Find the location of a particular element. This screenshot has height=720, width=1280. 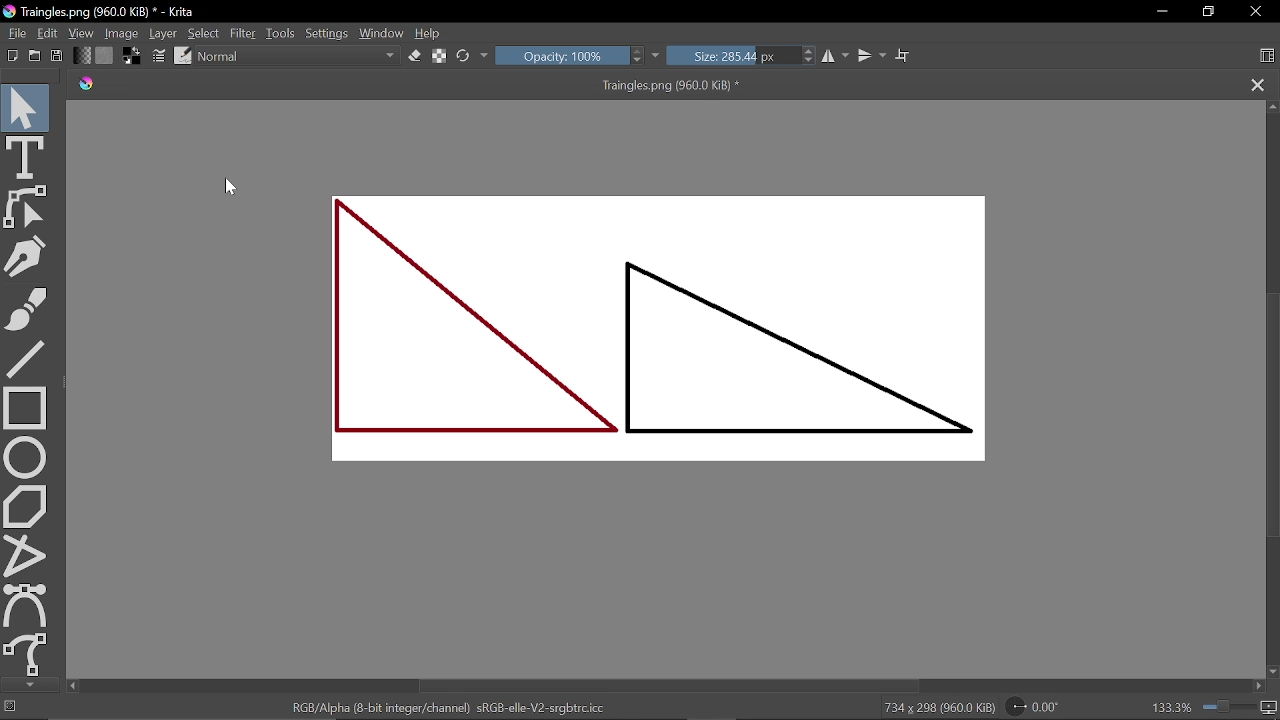

Choose brush preset is located at coordinates (184, 56).